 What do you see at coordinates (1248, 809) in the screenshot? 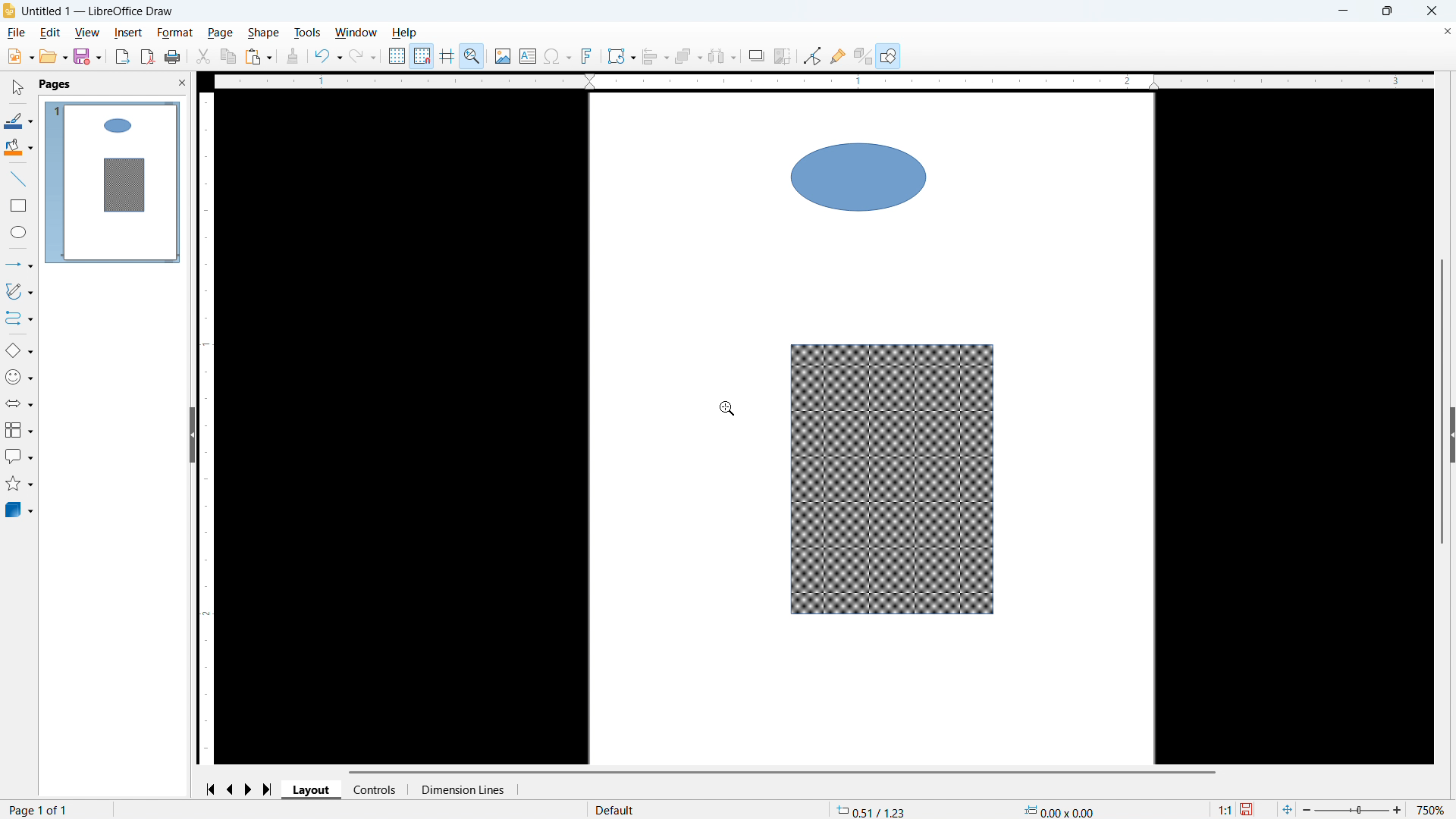
I see `save ` at bounding box center [1248, 809].